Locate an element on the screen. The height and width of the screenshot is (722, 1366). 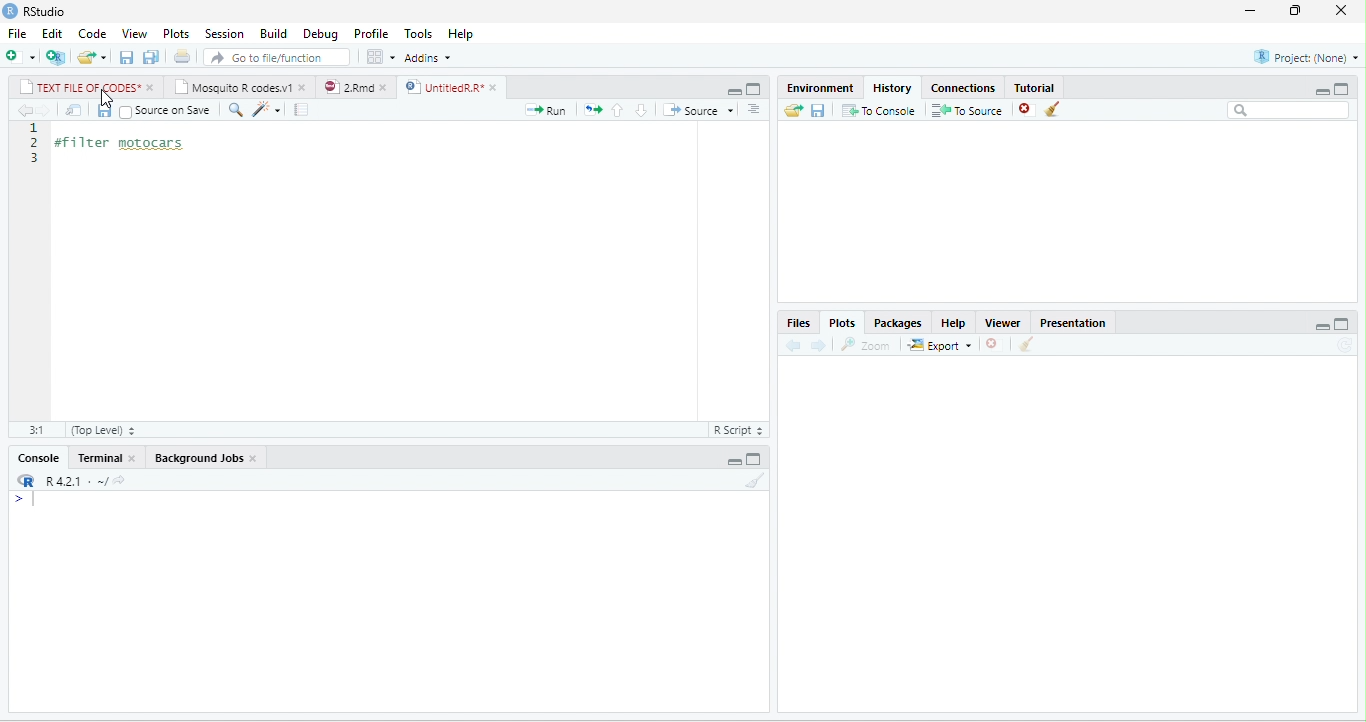
maximize is located at coordinates (753, 460).